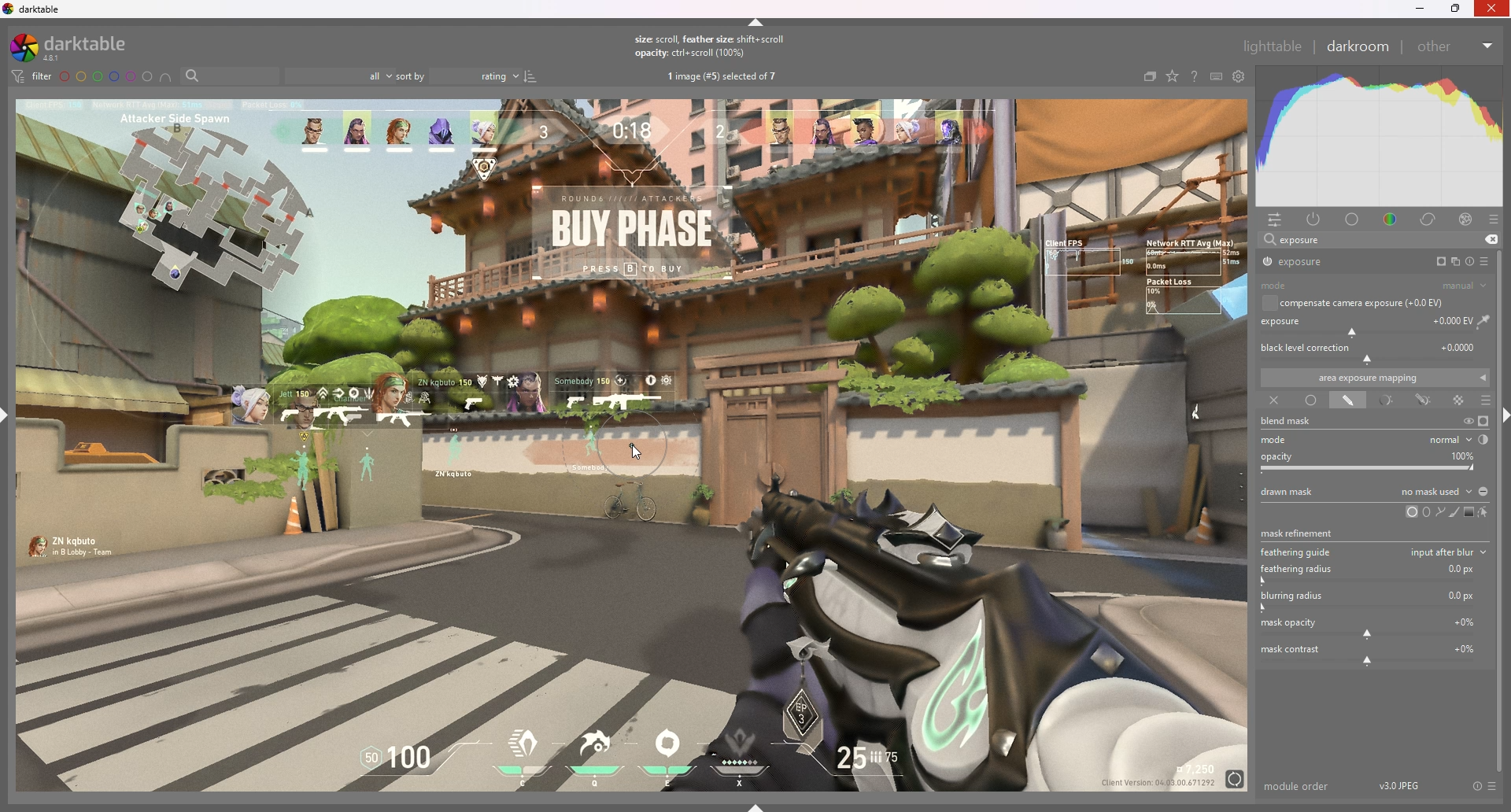  What do you see at coordinates (1273, 46) in the screenshot?
I see `lighttable` at bounding box center [1273, 46].